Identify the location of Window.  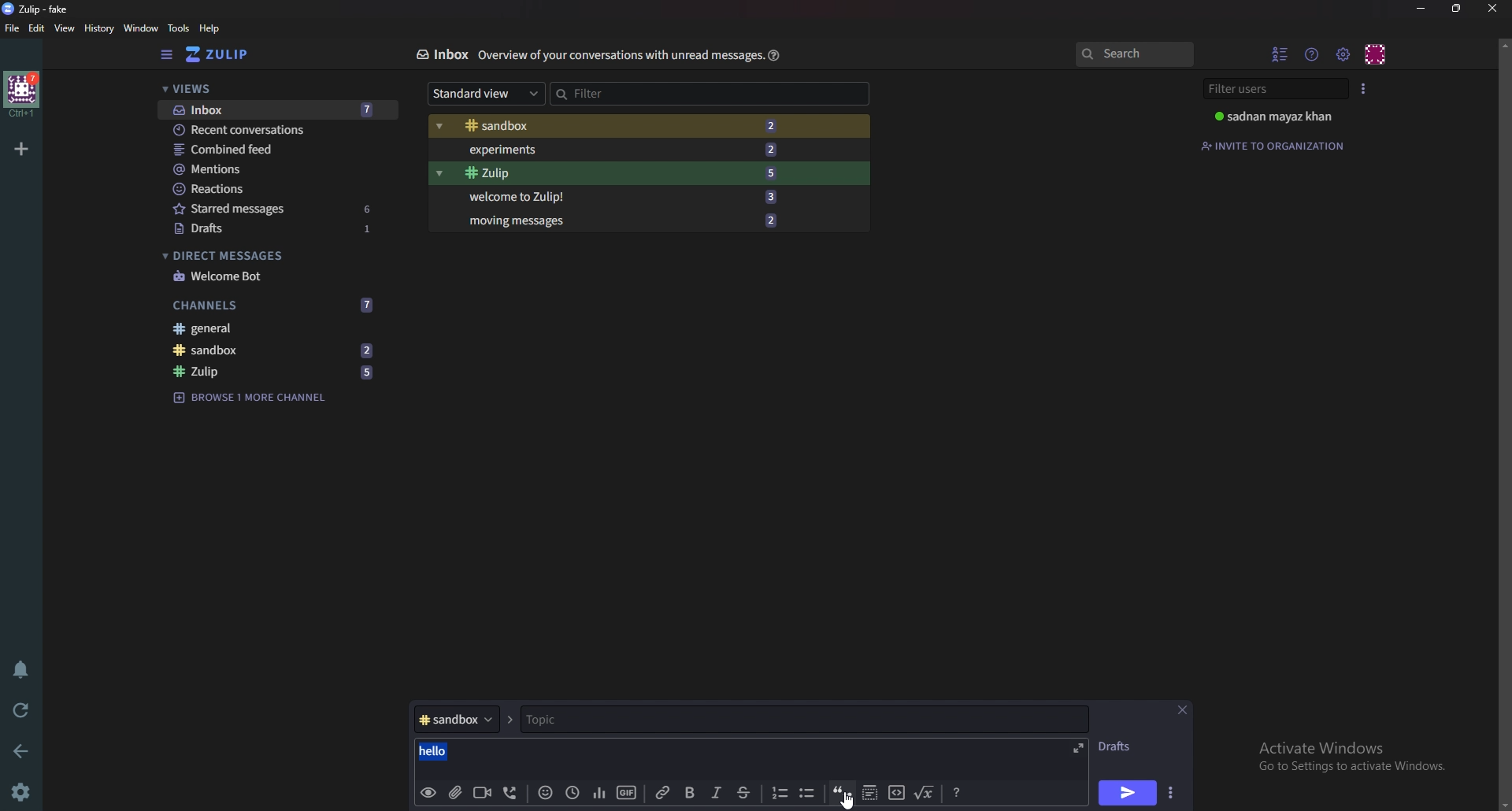
(143, 28).